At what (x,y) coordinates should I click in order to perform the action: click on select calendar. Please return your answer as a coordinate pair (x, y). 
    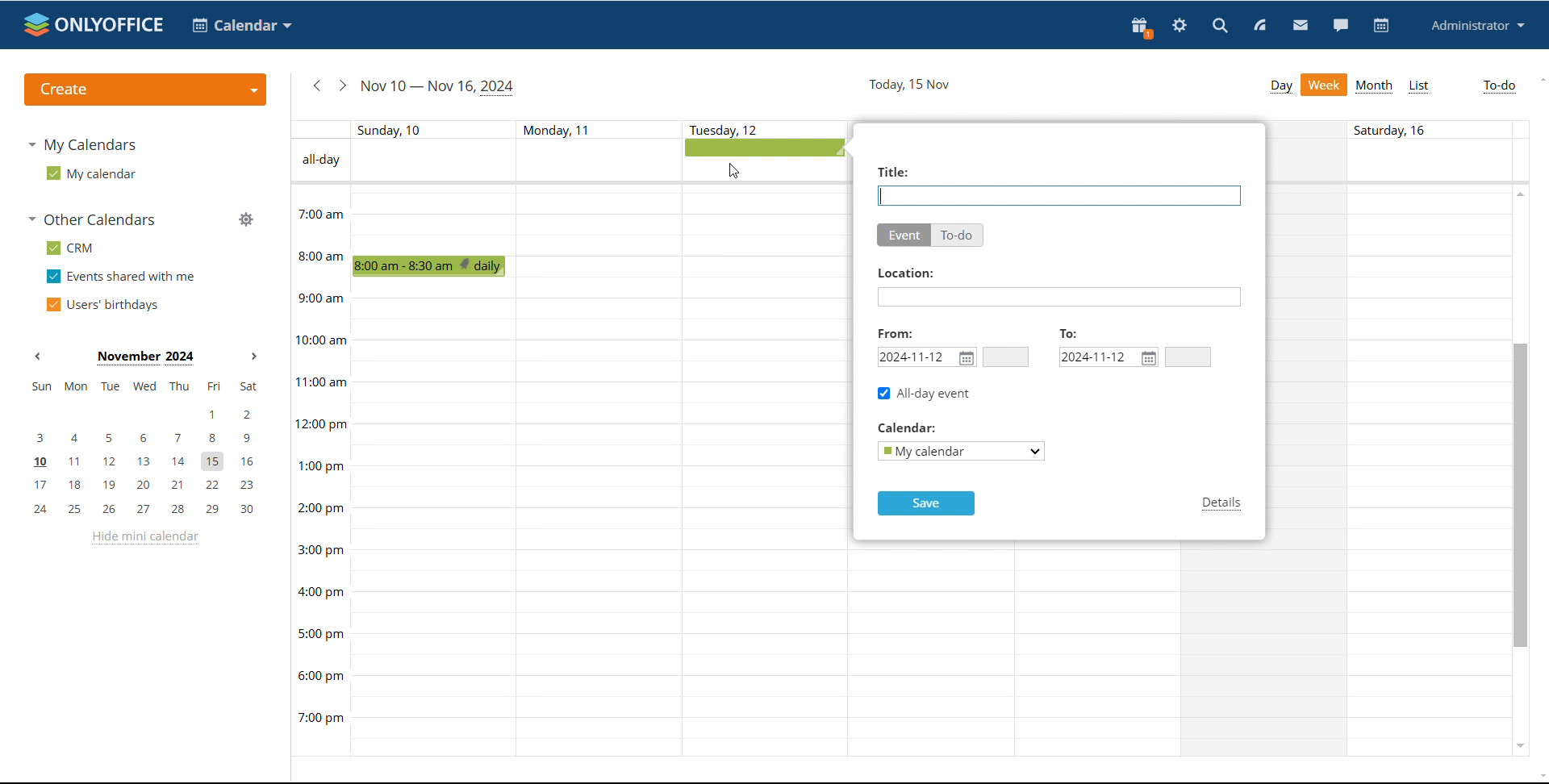
    Looking at the image, I should click on (961, 452).